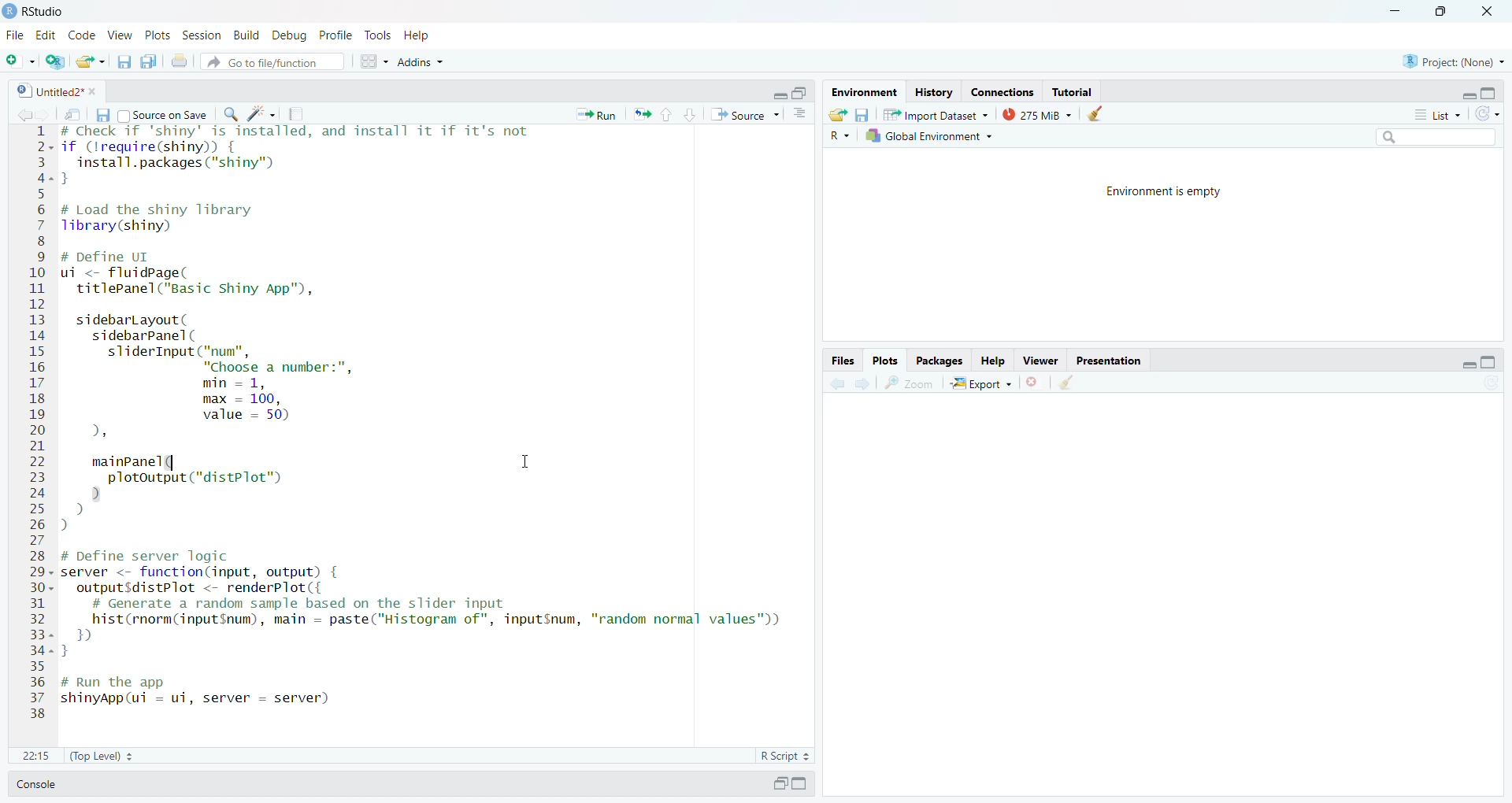 This screenshot has width=1512, height=803. What do you see at coordinates (1492, 383) in the screenshot?
I see `refresh` at bounding box center [1492, 383].